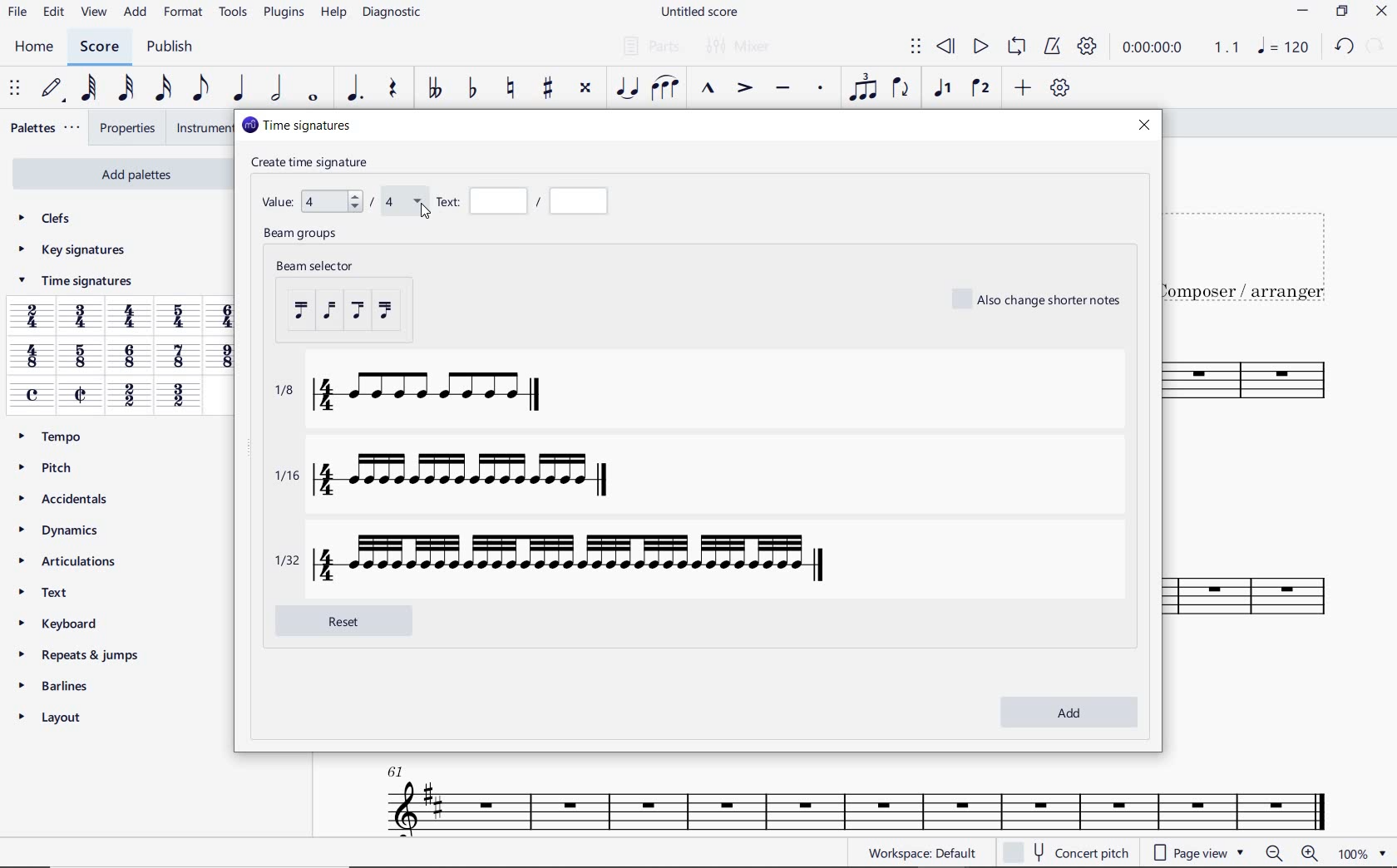 The height and width of the screenshot is (868, 1397). What do you see at coordinates (471, 89) in the screenshot?
I see `TOGGLE FLAT` at bounding box center [471, 89].